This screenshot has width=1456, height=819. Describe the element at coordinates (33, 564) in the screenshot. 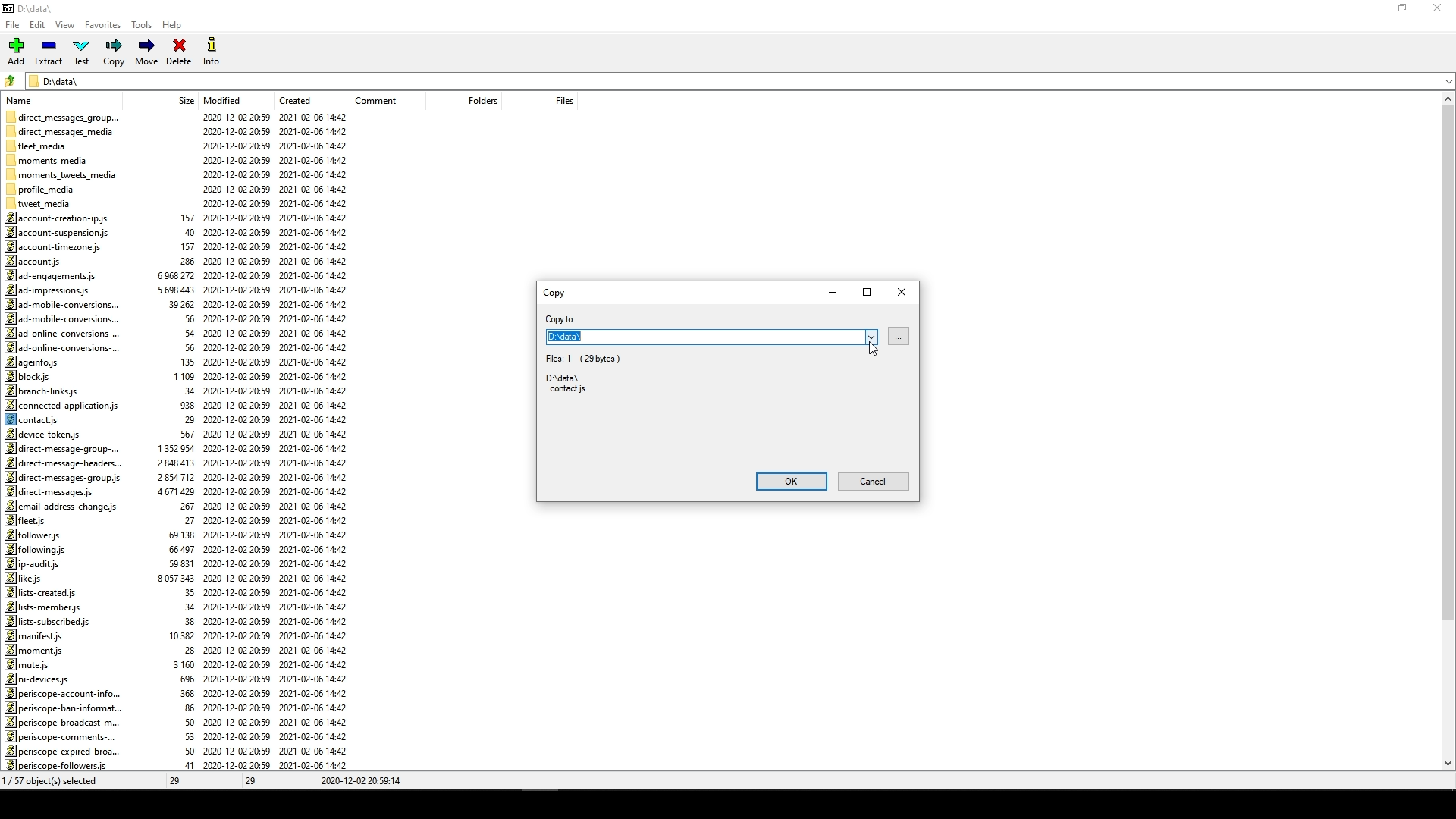

I see `ip-audits.js` at that location.